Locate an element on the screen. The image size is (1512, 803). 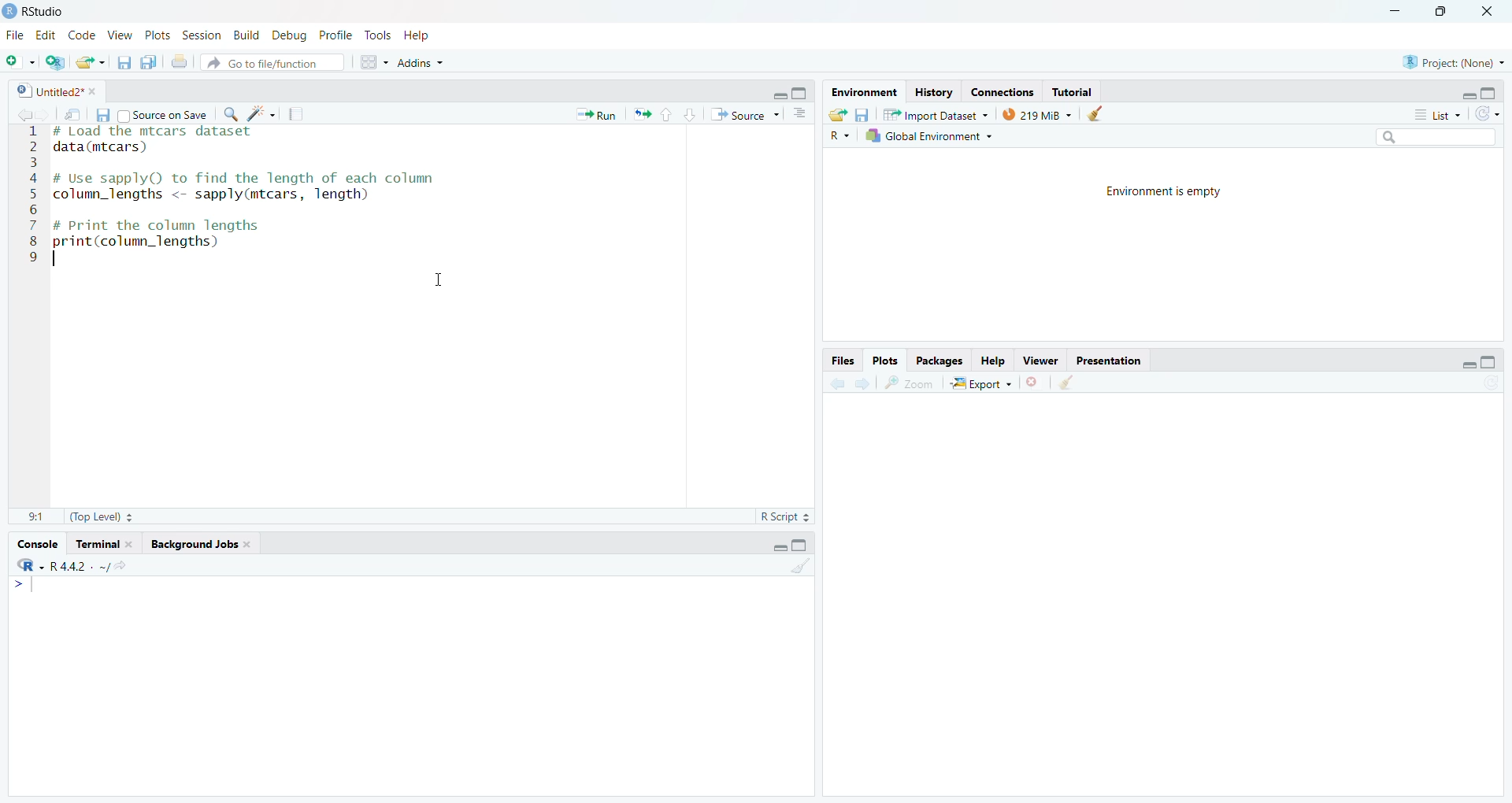
Clear is located at coordinates (799, 564).